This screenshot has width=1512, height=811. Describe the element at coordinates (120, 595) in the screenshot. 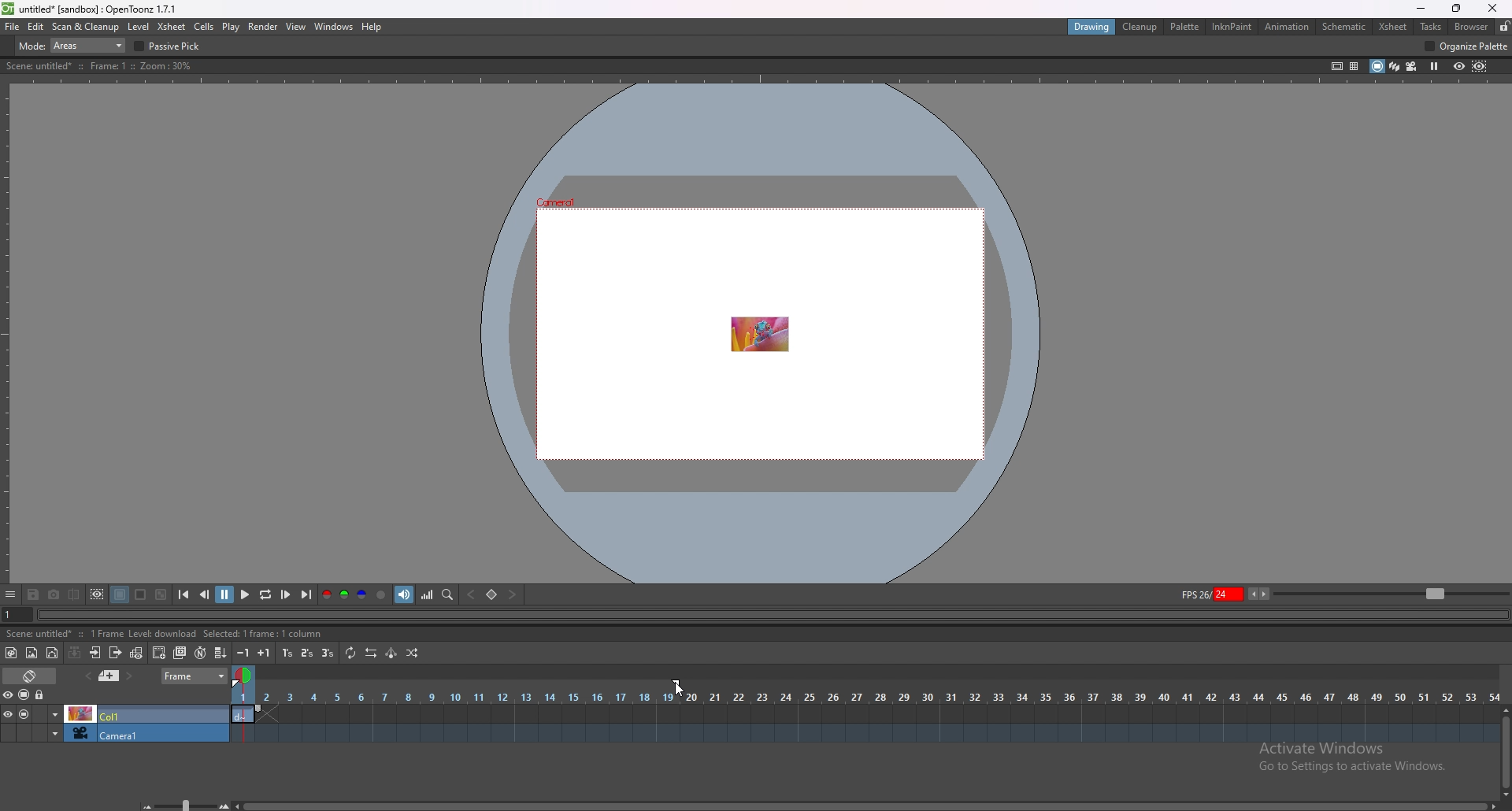

I see `black background` at that location.